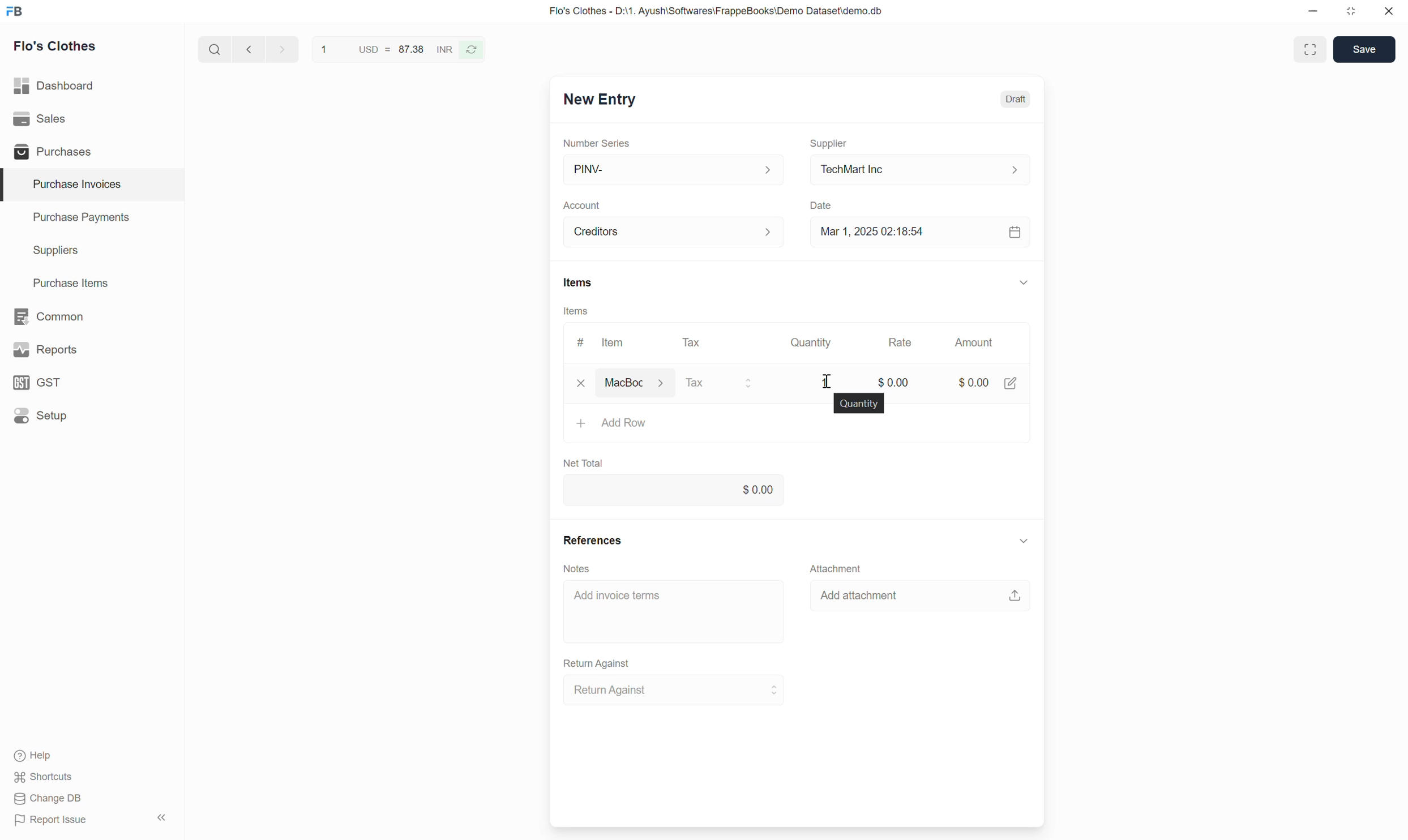 This screenshot has height=840, width=1408. I want to click on Account, so click(581, 206).